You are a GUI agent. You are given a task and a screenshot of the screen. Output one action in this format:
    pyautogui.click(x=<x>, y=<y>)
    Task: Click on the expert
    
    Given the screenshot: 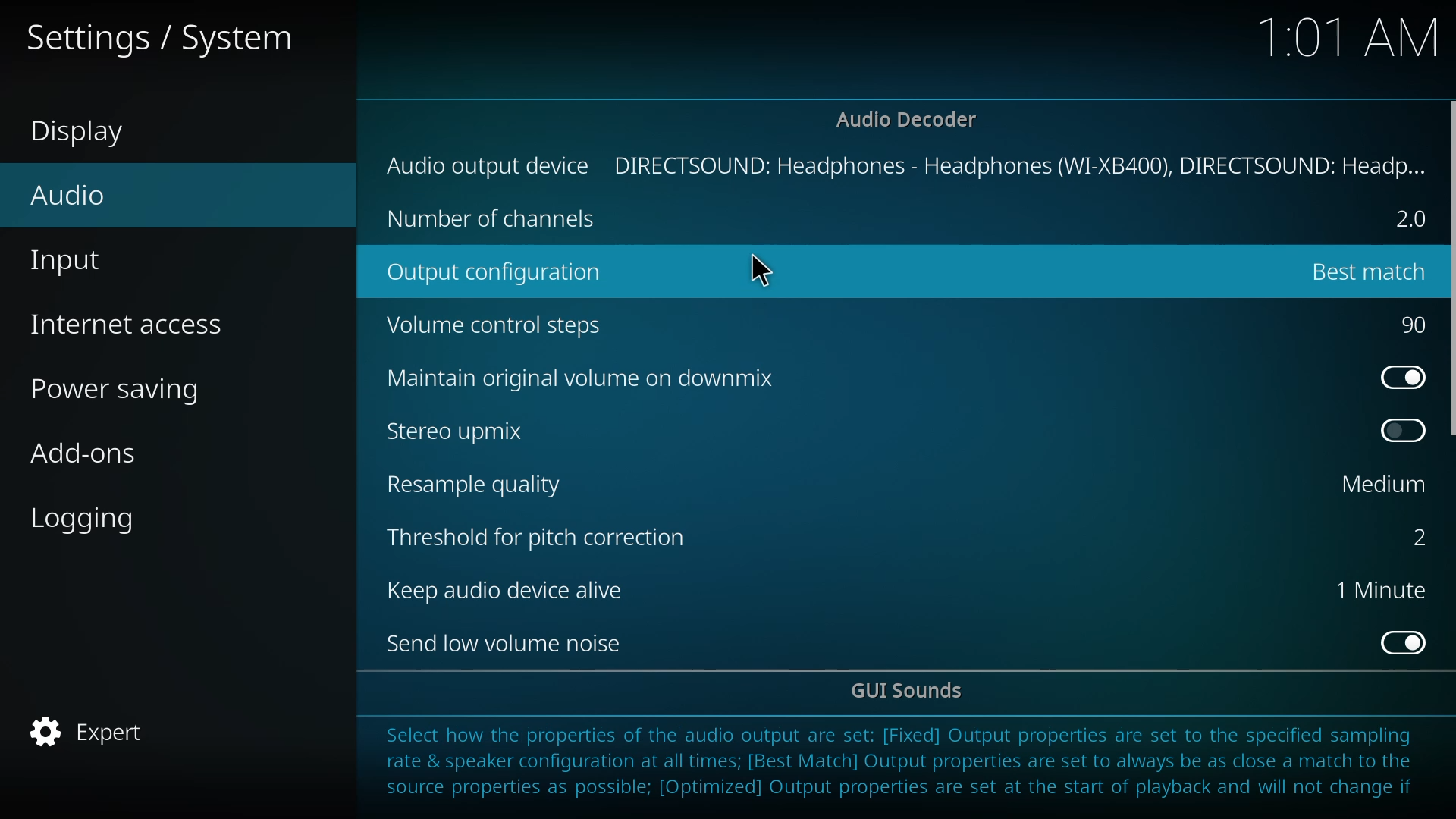 What is the action you would take?
    pyautogui.click(x=101, y=733)
    